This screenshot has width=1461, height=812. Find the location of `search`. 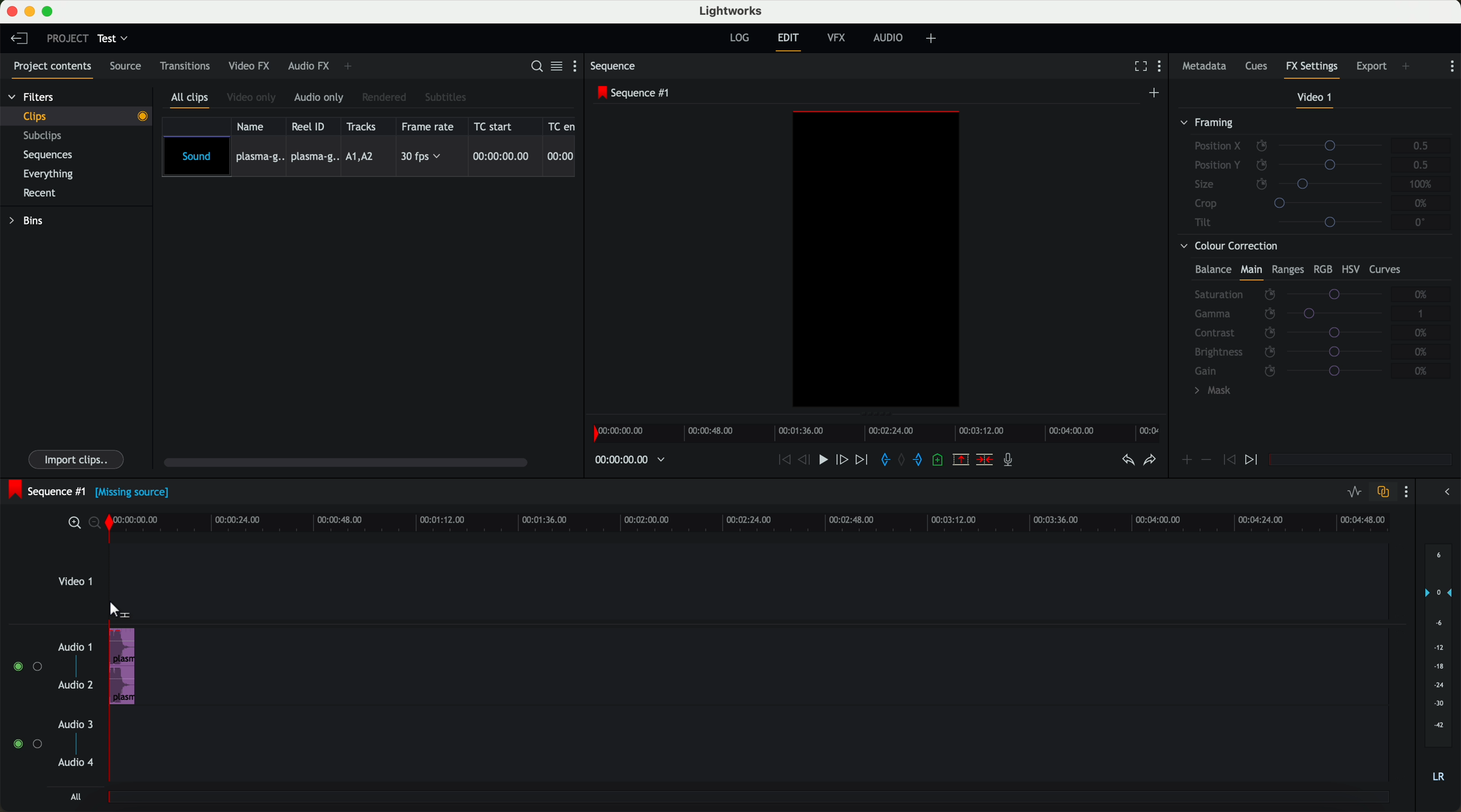

search is located at coordinates (535, 67).